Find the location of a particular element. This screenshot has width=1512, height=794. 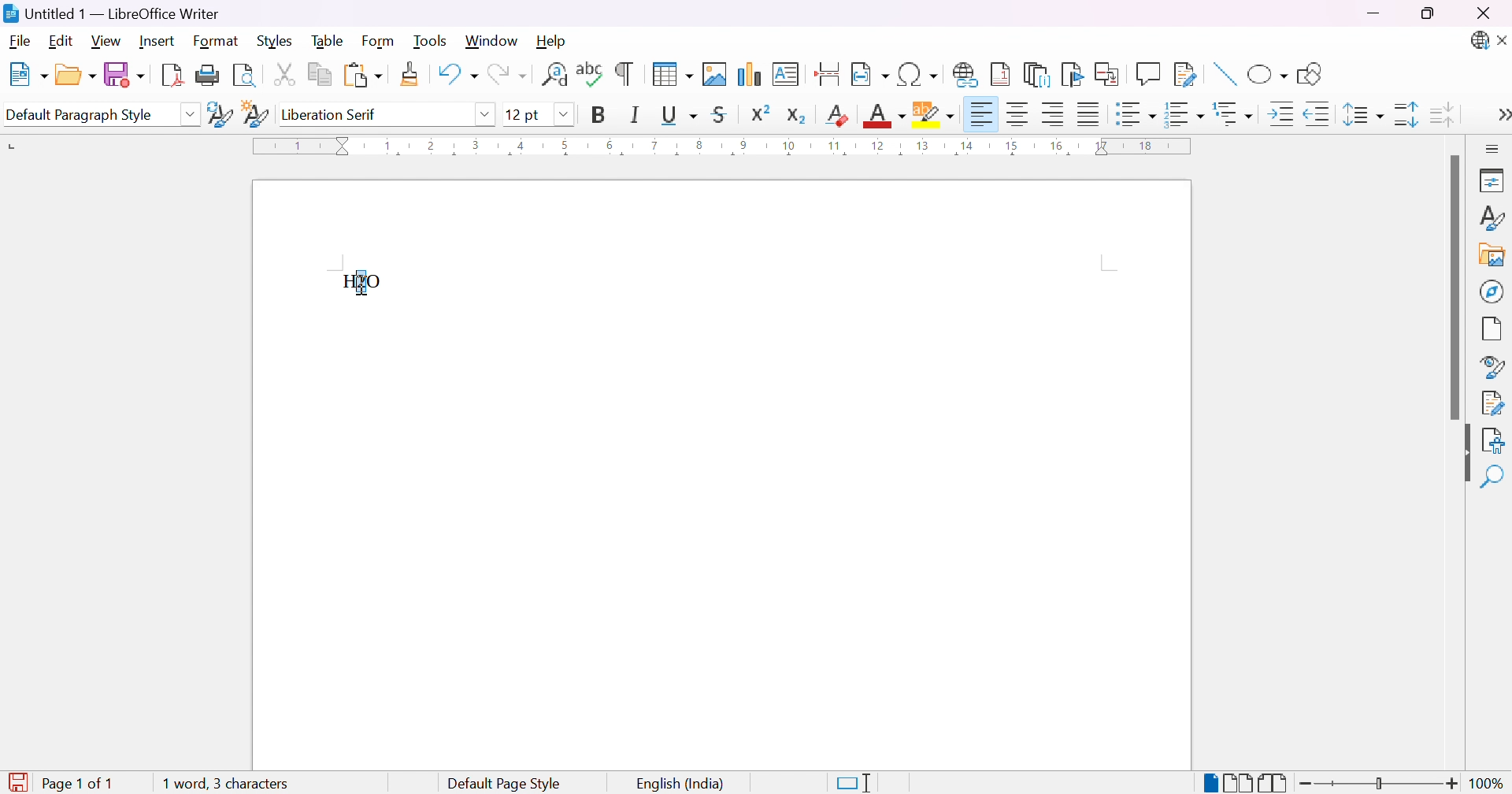

Insert text box is located at coordinates (785, 74).